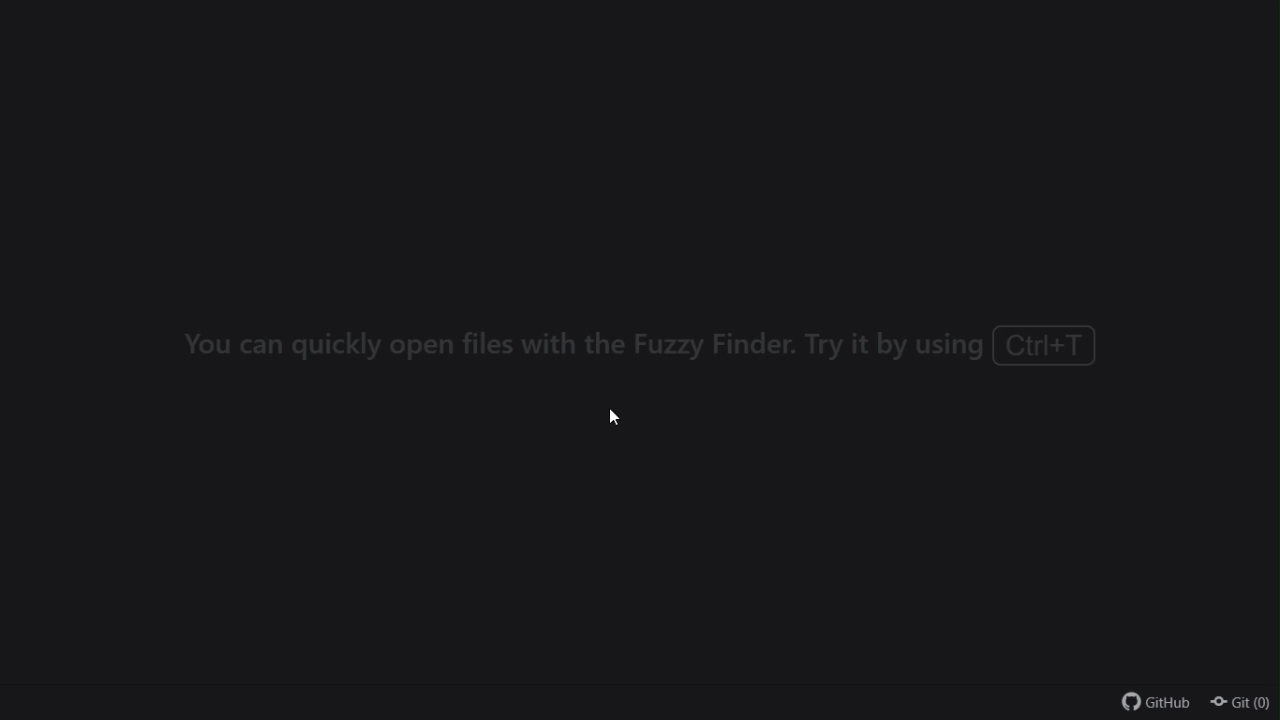 The height and width of the screenshot is (720, 1280). Describe the element at coordinates (615, 419) in the screenshot. I see `cursor` at that location.